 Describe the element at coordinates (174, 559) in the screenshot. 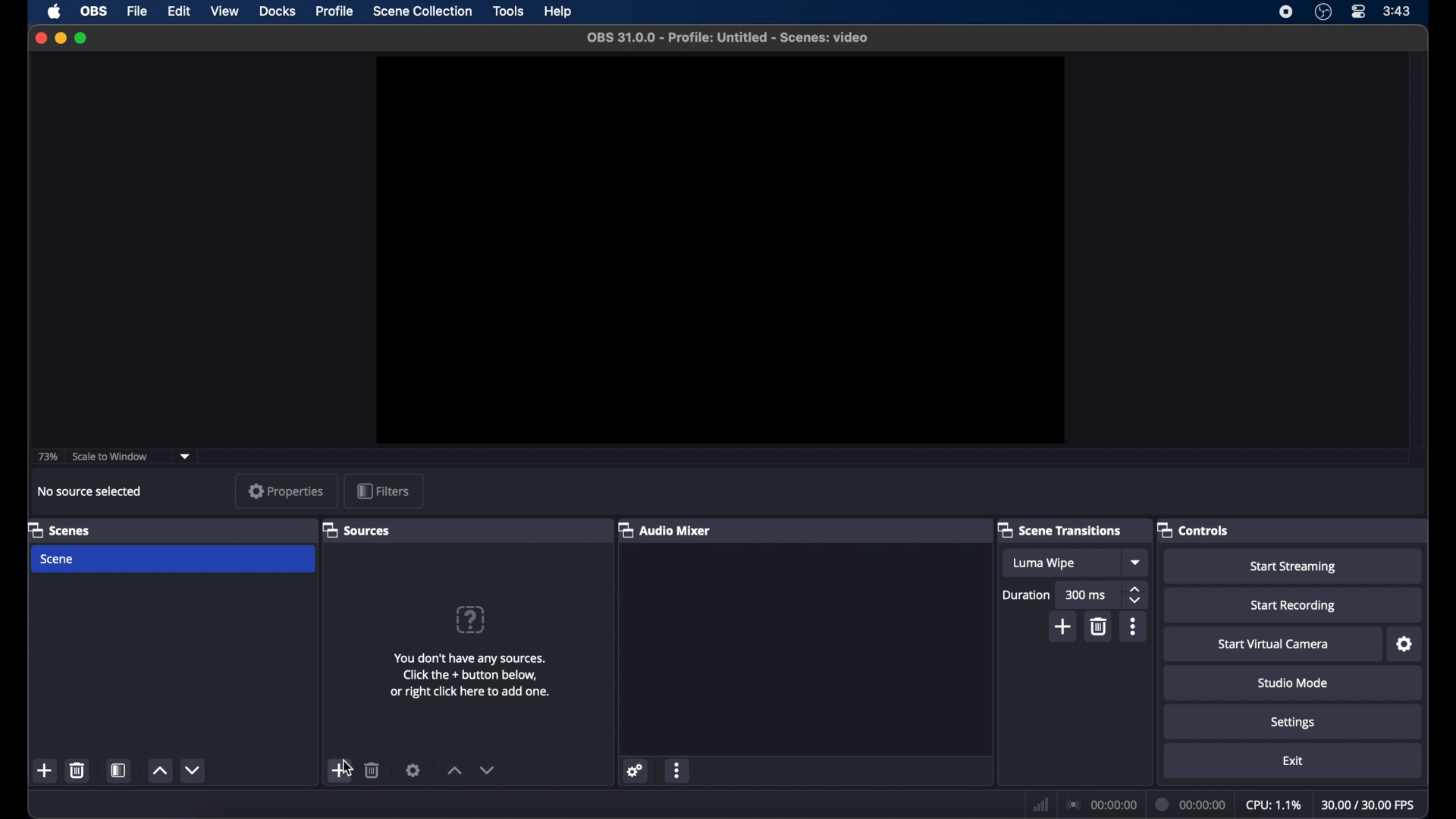

I see `scene` at that location.